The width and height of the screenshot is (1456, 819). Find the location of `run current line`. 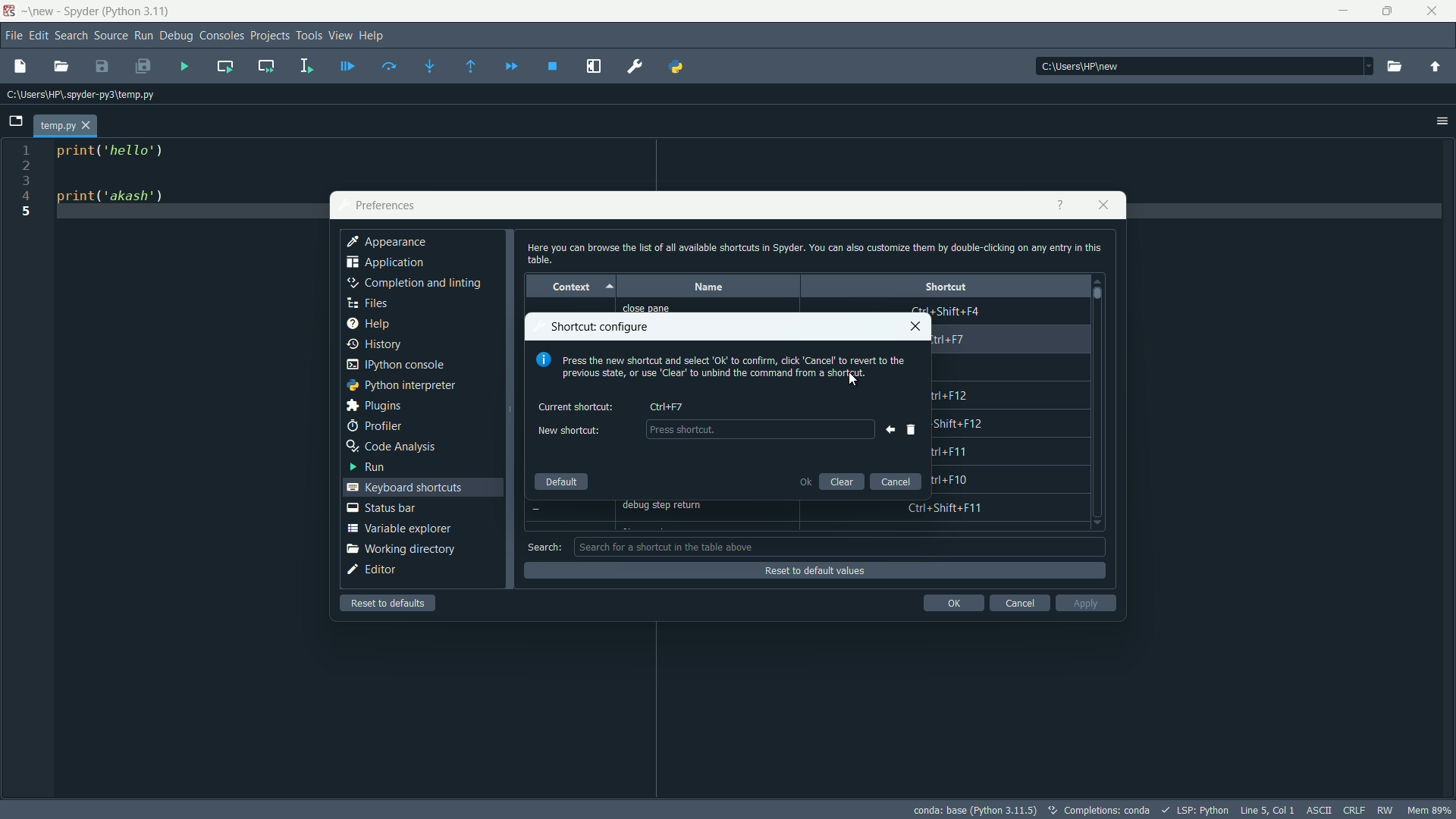

run current line is located at coordinates (389, 66).